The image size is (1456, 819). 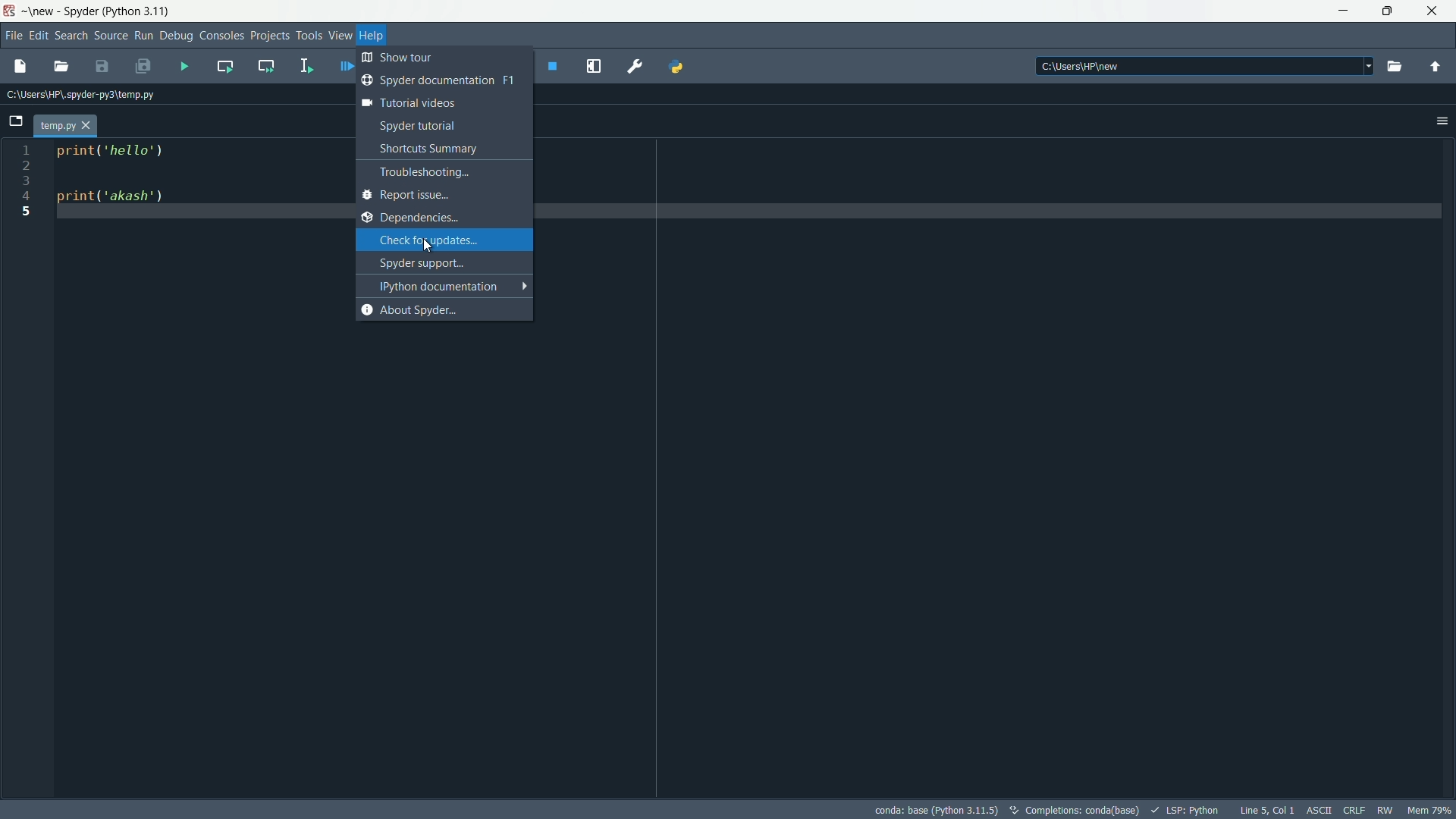 What do you see at coordinates (222, 66) in the screenshot?
I see `run current cell` at bounding box center [222, 66].